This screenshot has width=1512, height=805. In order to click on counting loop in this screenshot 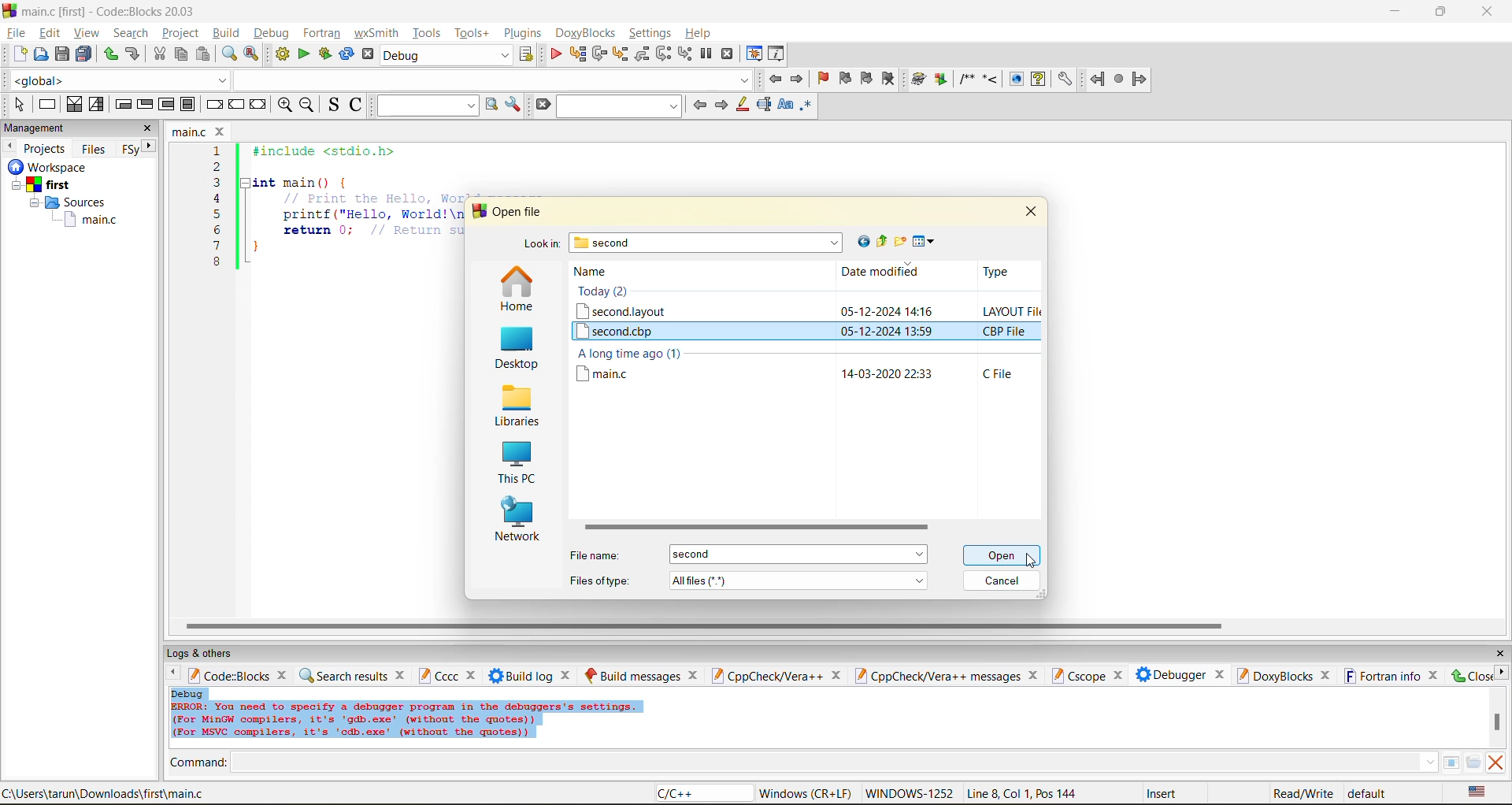, I will do `click(167, 106)`.